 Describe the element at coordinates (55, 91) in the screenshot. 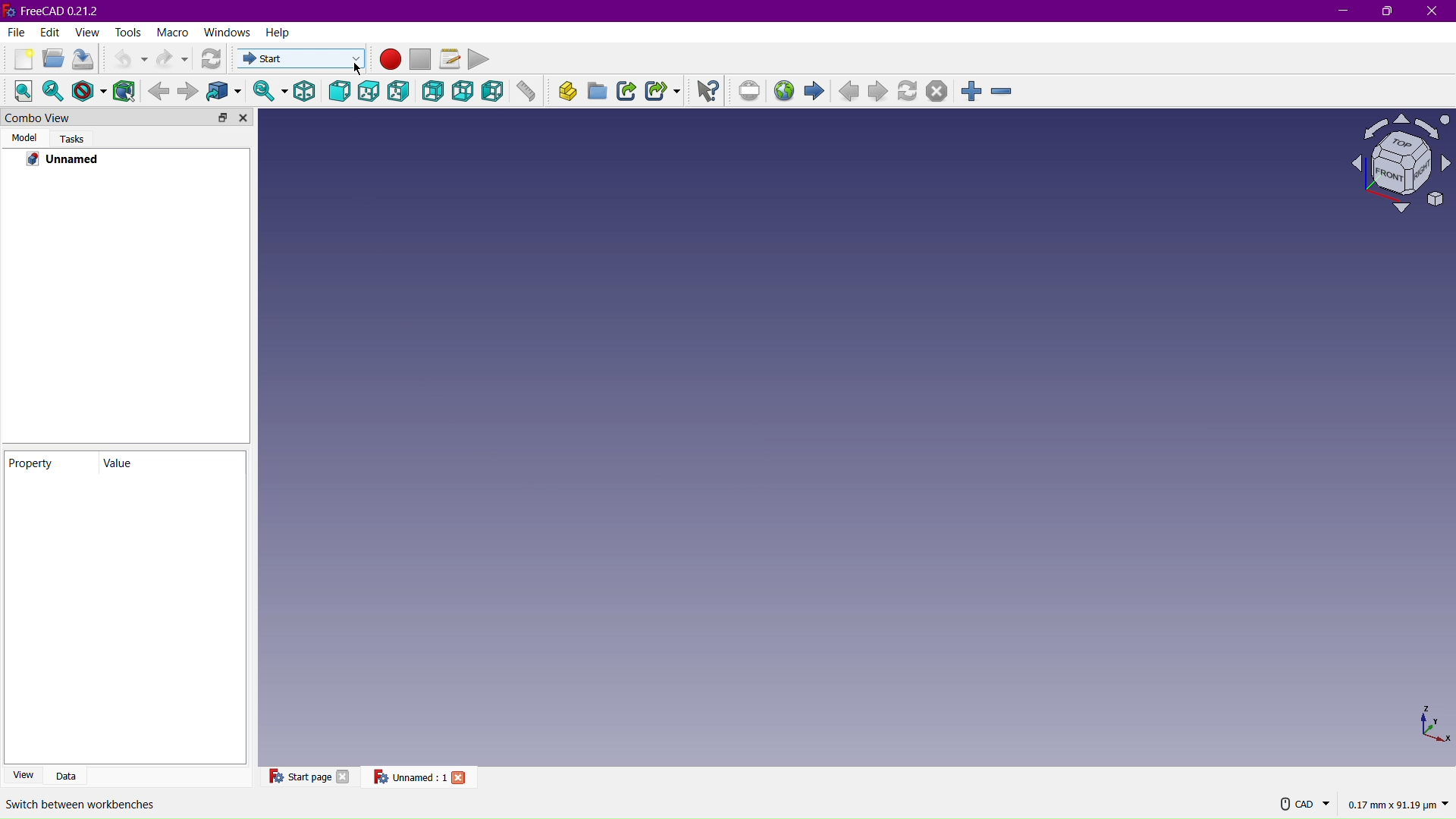

I see `Fit Selection` at that location.